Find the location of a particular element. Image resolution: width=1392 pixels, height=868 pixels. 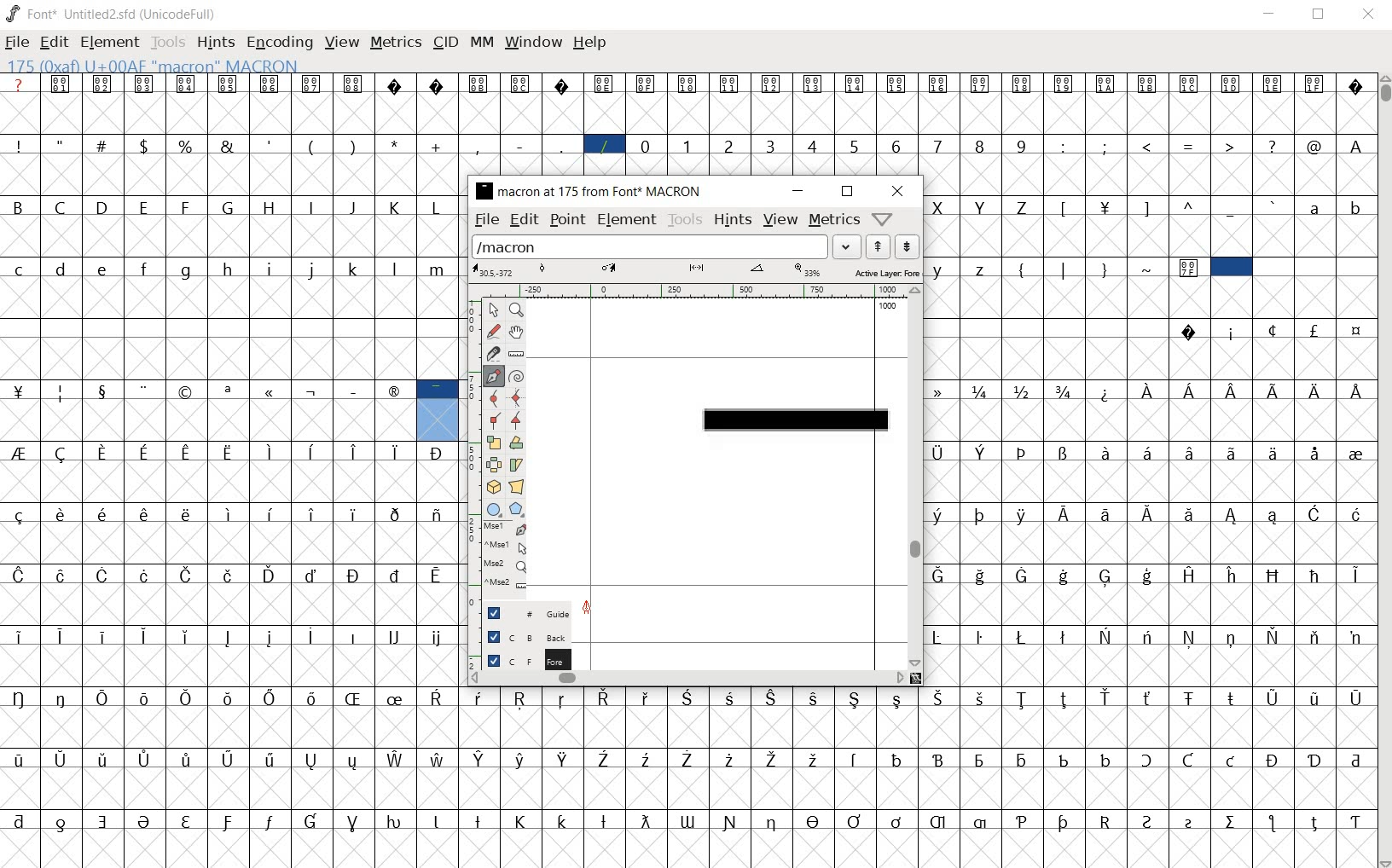

Symbol is located at coordinates (188, 452).